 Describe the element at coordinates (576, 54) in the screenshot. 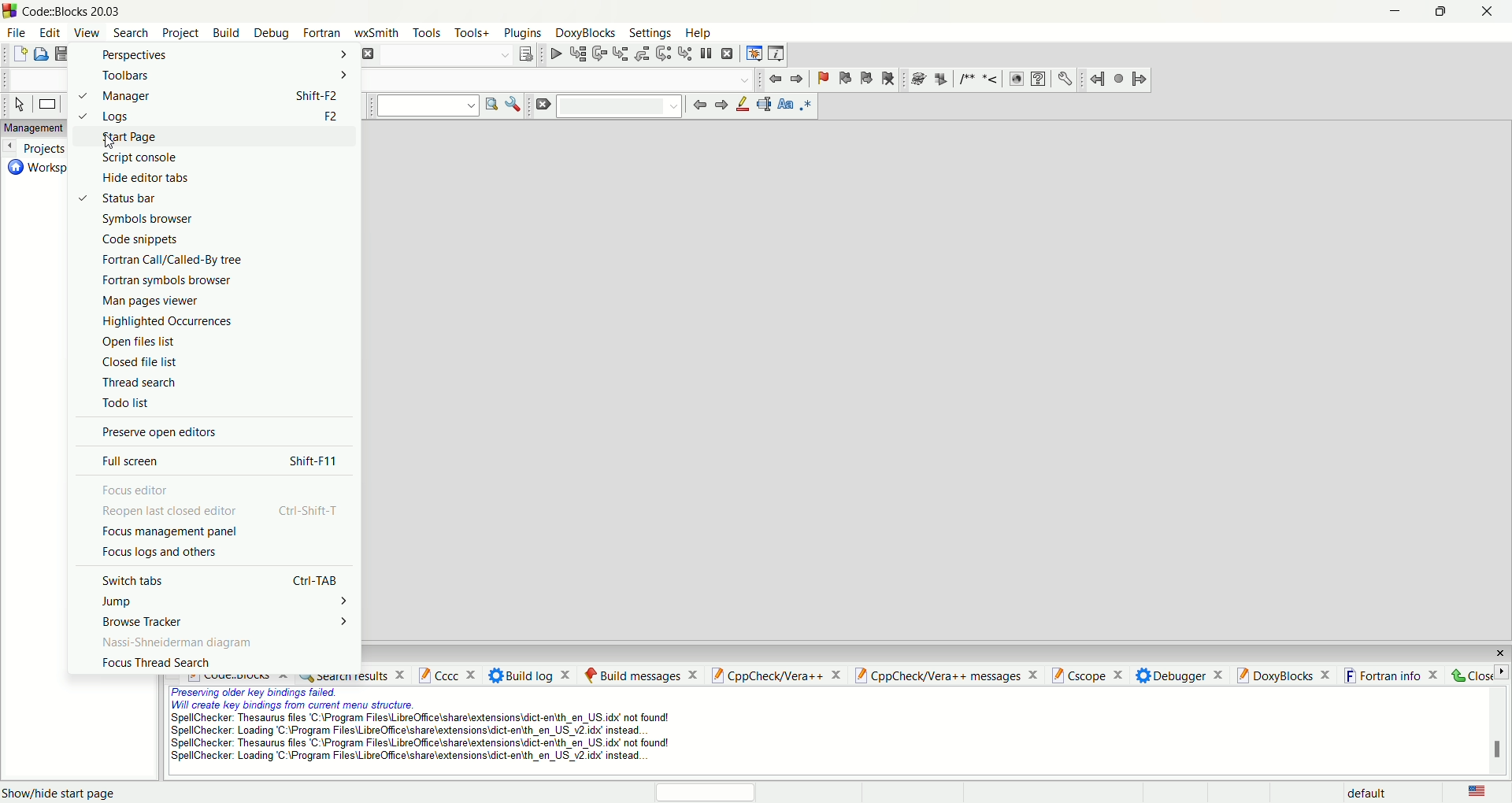

I see `run to cursor` at that location.